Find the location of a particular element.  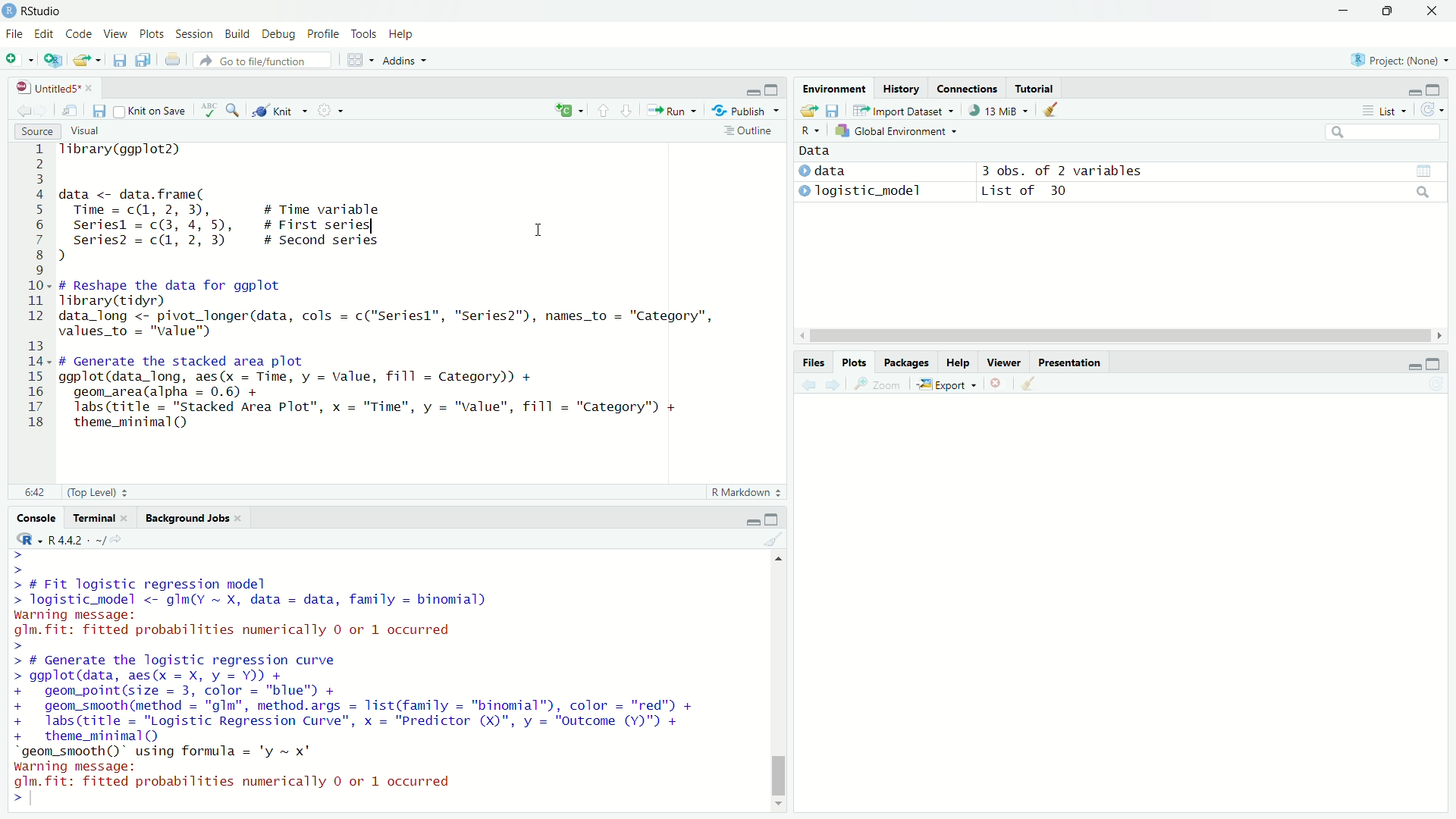

Project: (None) is located at coordinates (1404, 60).